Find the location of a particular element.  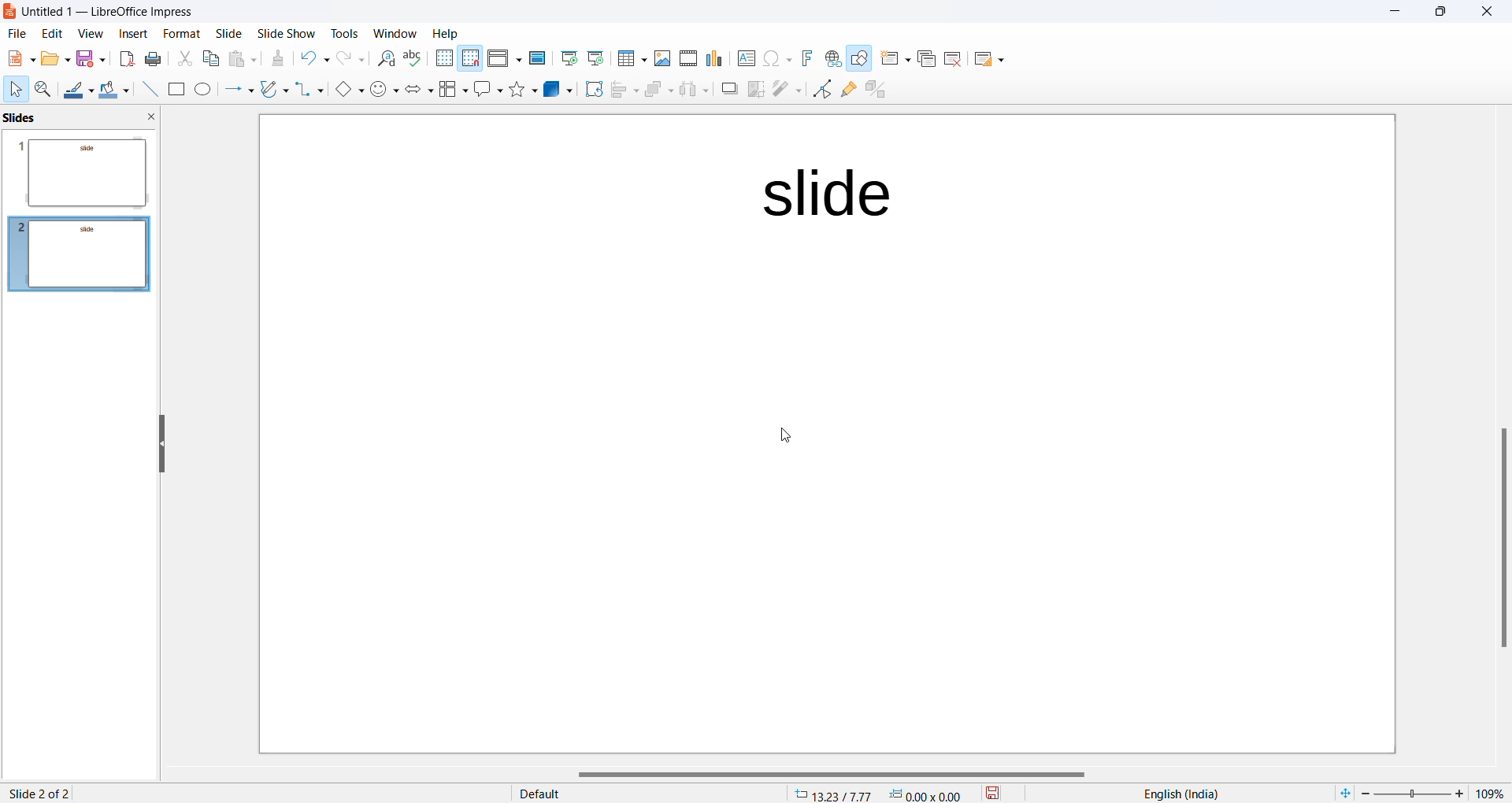

slide 2 of 2 is located at coordinates (41, 791).